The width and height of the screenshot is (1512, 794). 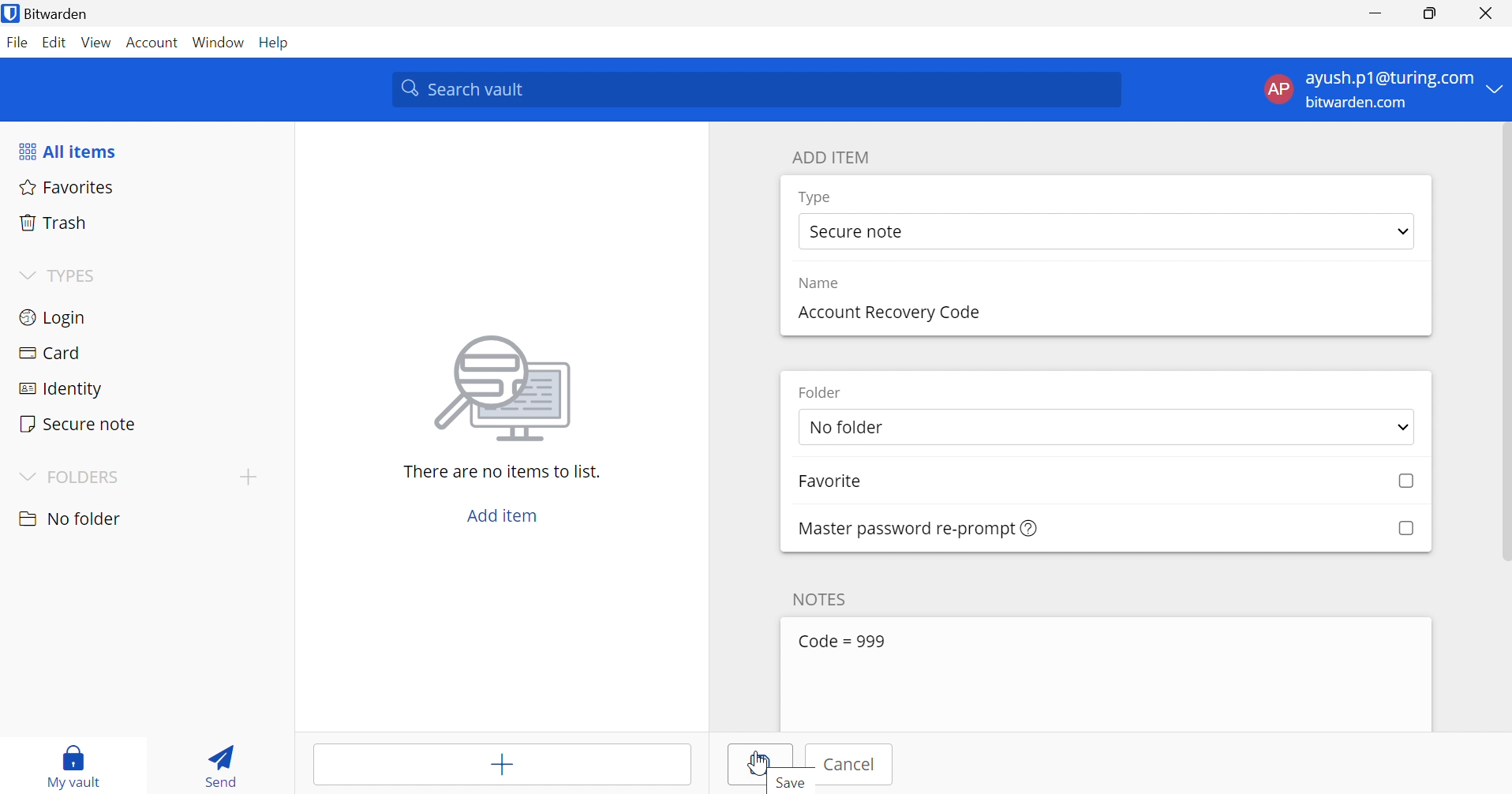 What do you see at coordinates (508, 388) in the screenshot?
I see `image` at bounding box center [508, 388].